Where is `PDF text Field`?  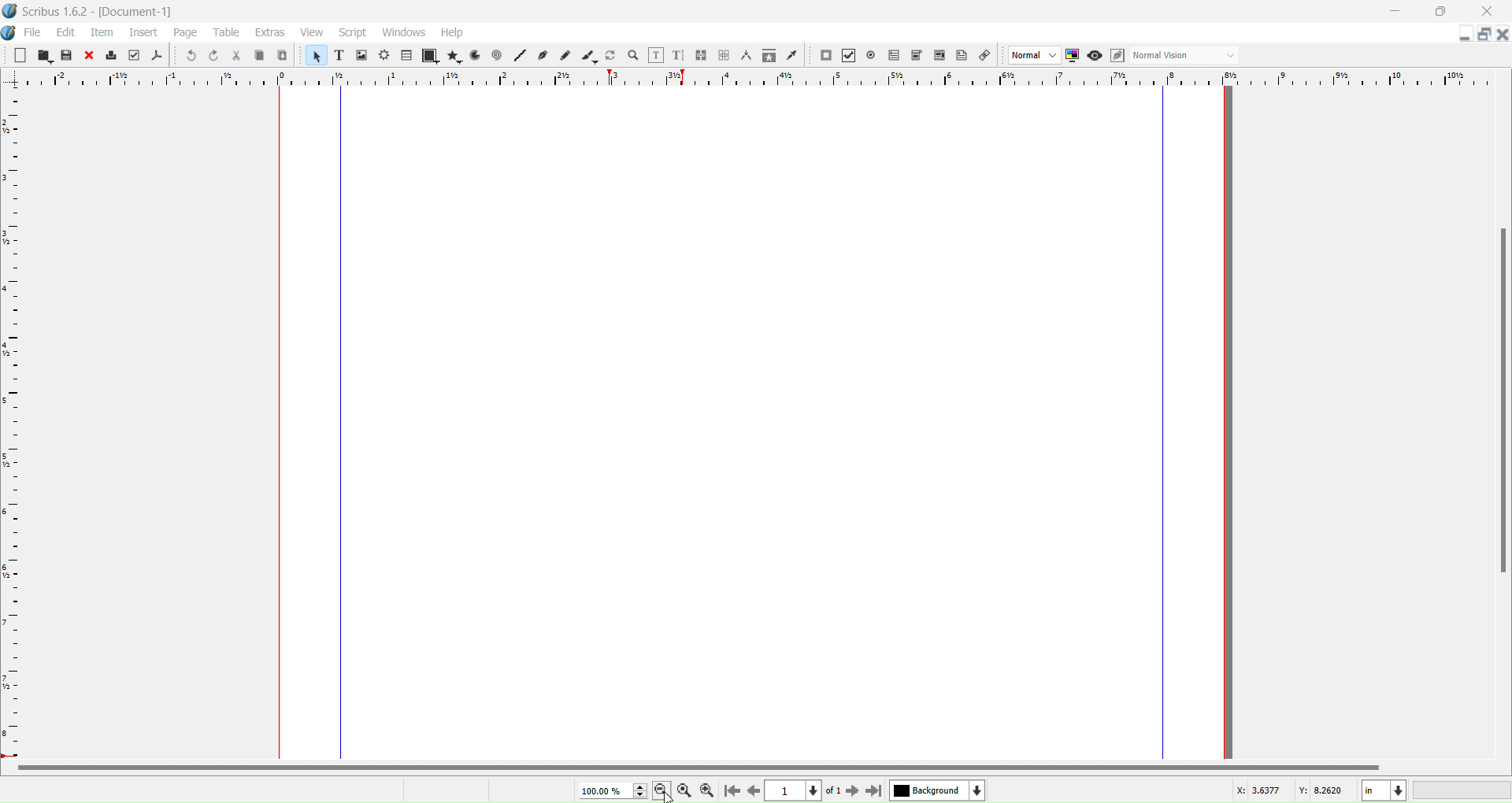
PDF text Field is located at coordinates (892, 56).